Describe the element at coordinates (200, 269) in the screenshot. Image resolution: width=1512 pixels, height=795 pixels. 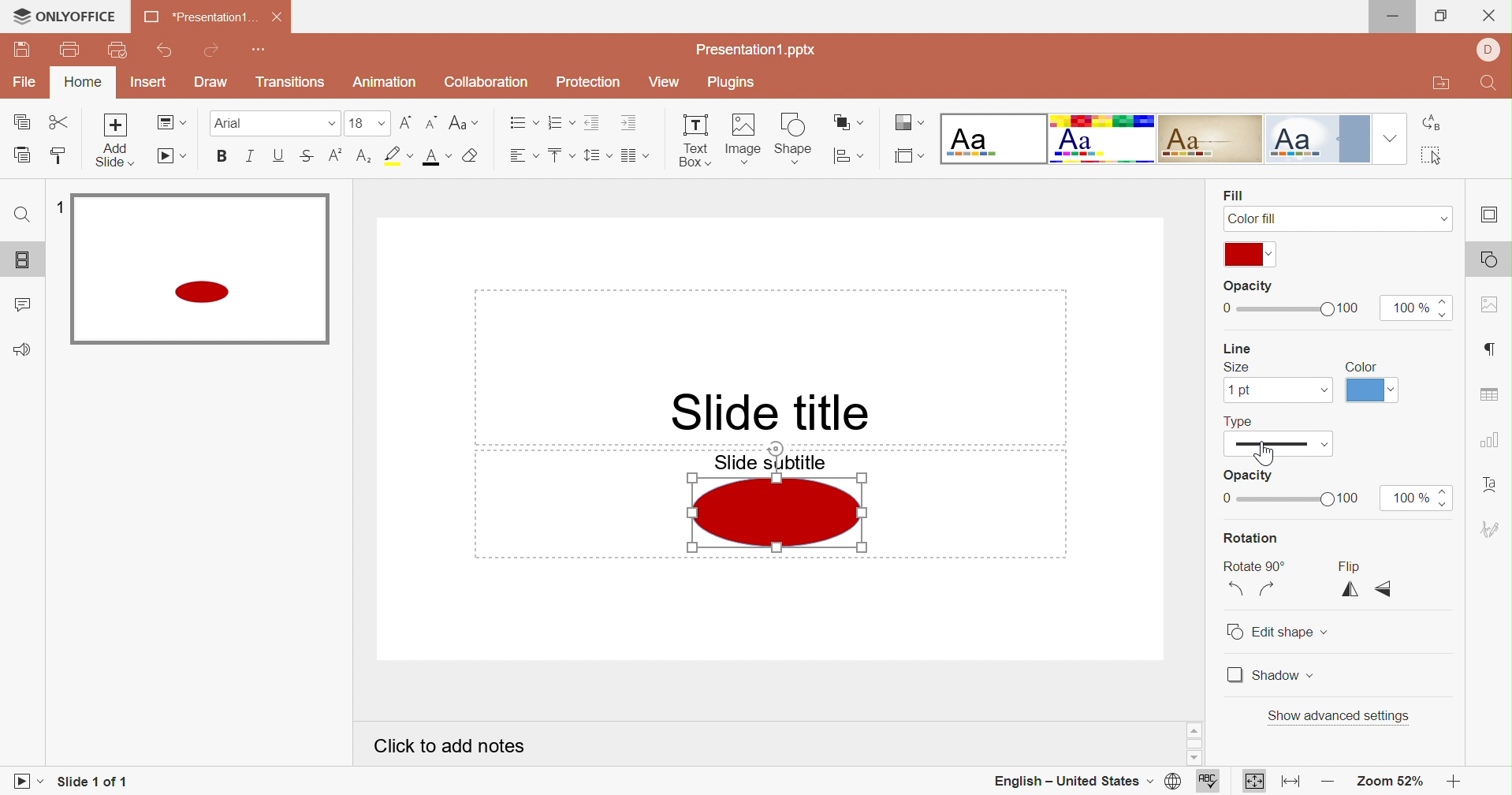
I see `Selected slide` at that location.